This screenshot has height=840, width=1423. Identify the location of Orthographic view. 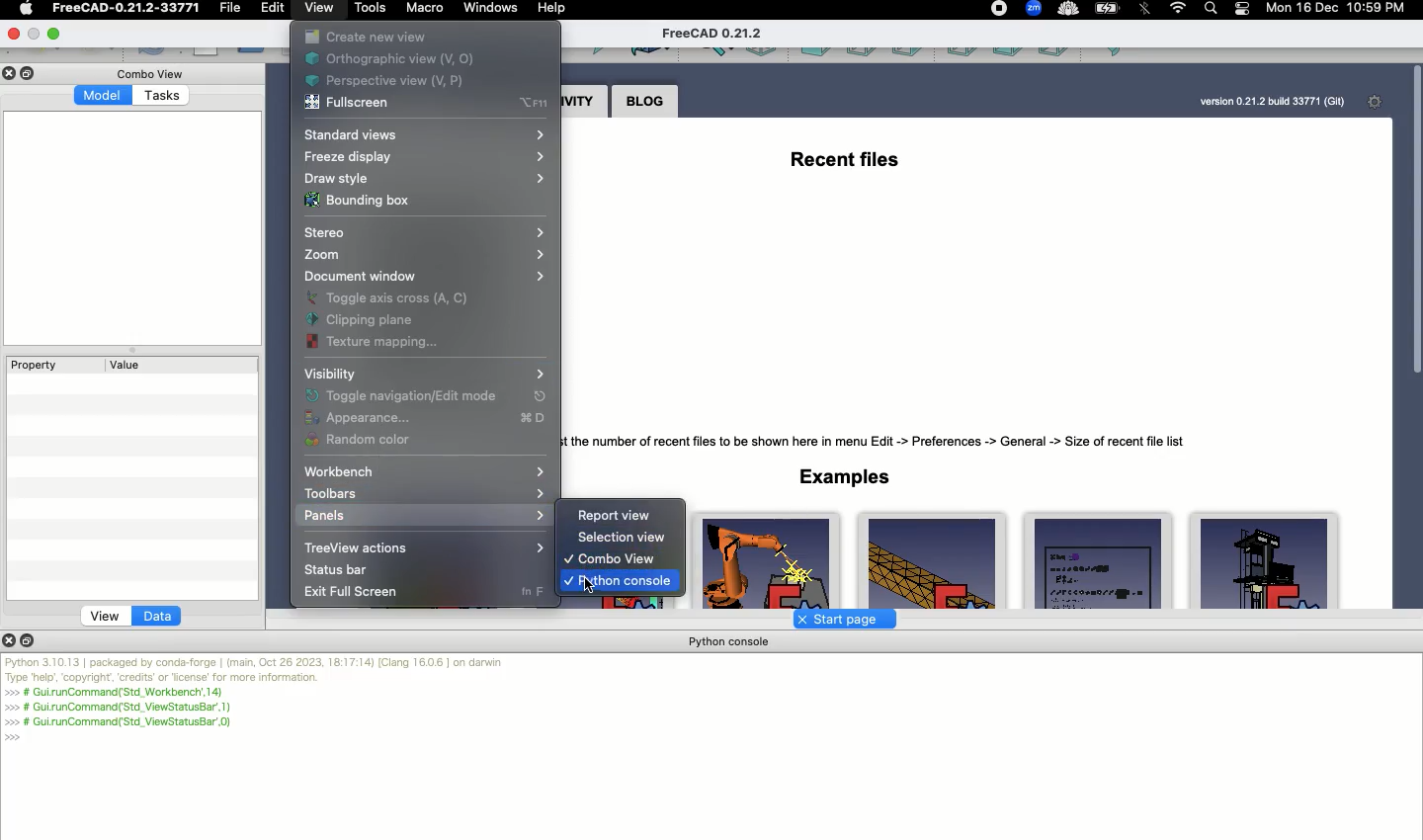
(397, 60).